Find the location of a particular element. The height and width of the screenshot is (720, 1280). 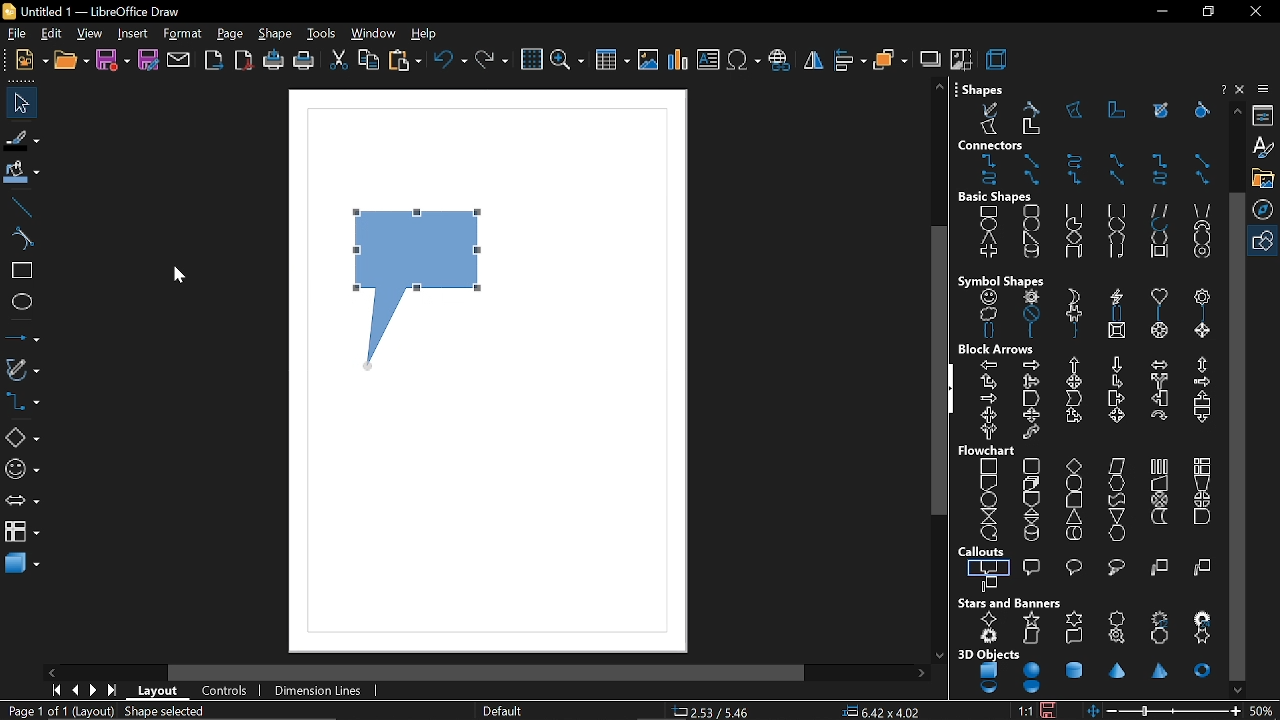

s shaped arrow is located at coordinates (1032, 434).